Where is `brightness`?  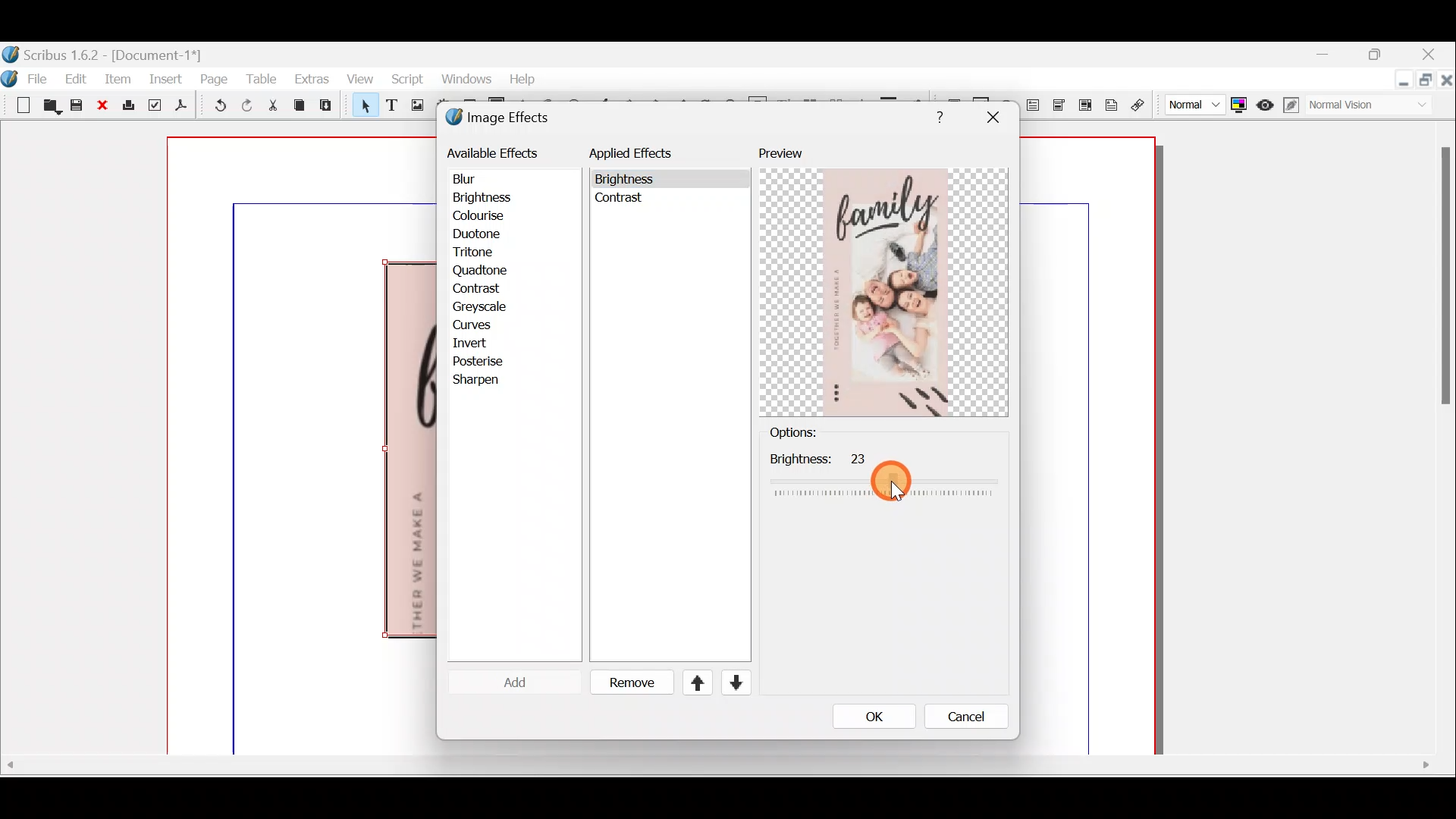
brightness is located at coordinates (883, 477).